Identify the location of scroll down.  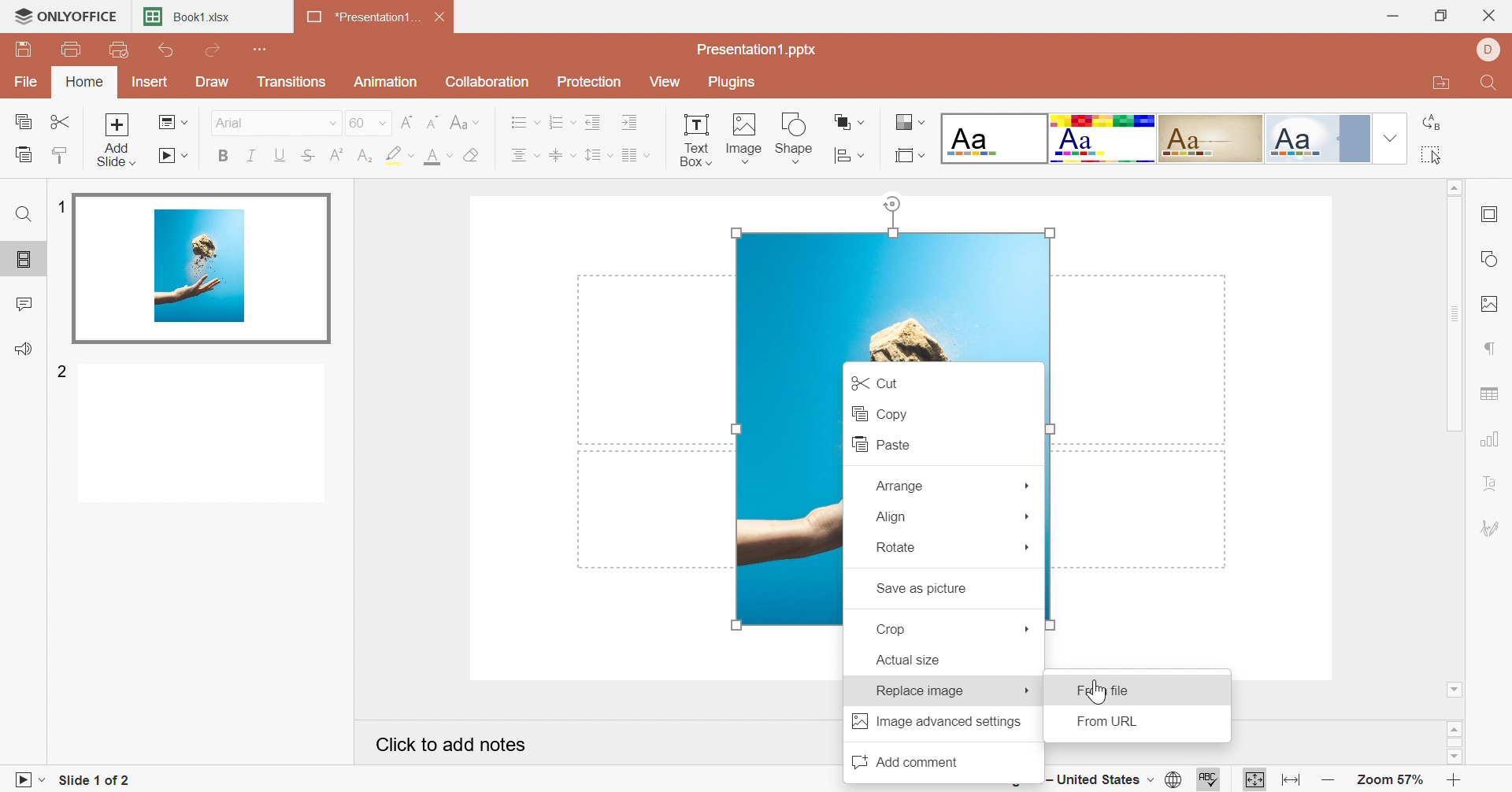
(1454, 758).